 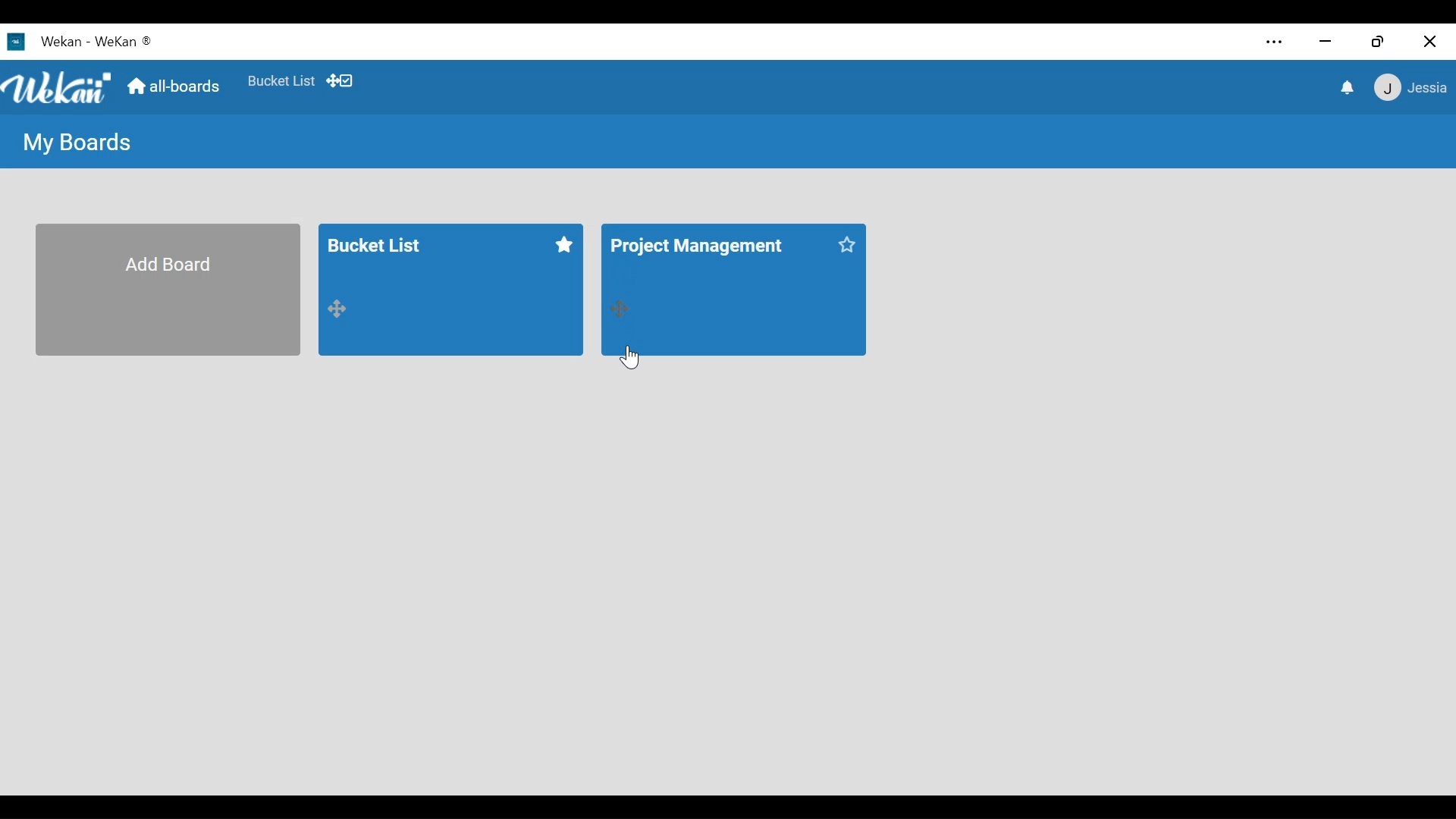 I want to click on minimize, so click(x=1325, y=42).